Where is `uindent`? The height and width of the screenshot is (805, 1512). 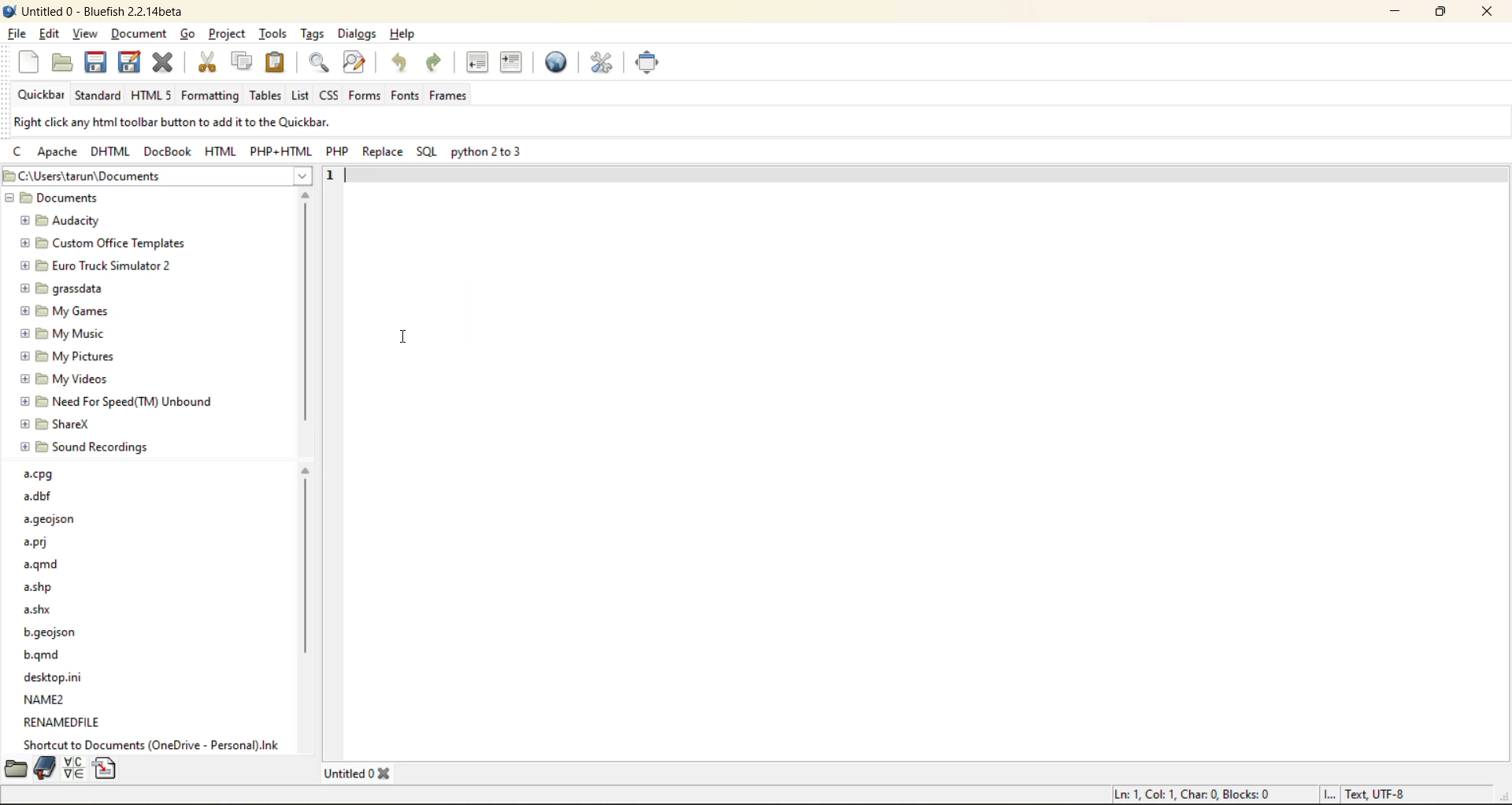
uindent is located at coordinates (480, 64).